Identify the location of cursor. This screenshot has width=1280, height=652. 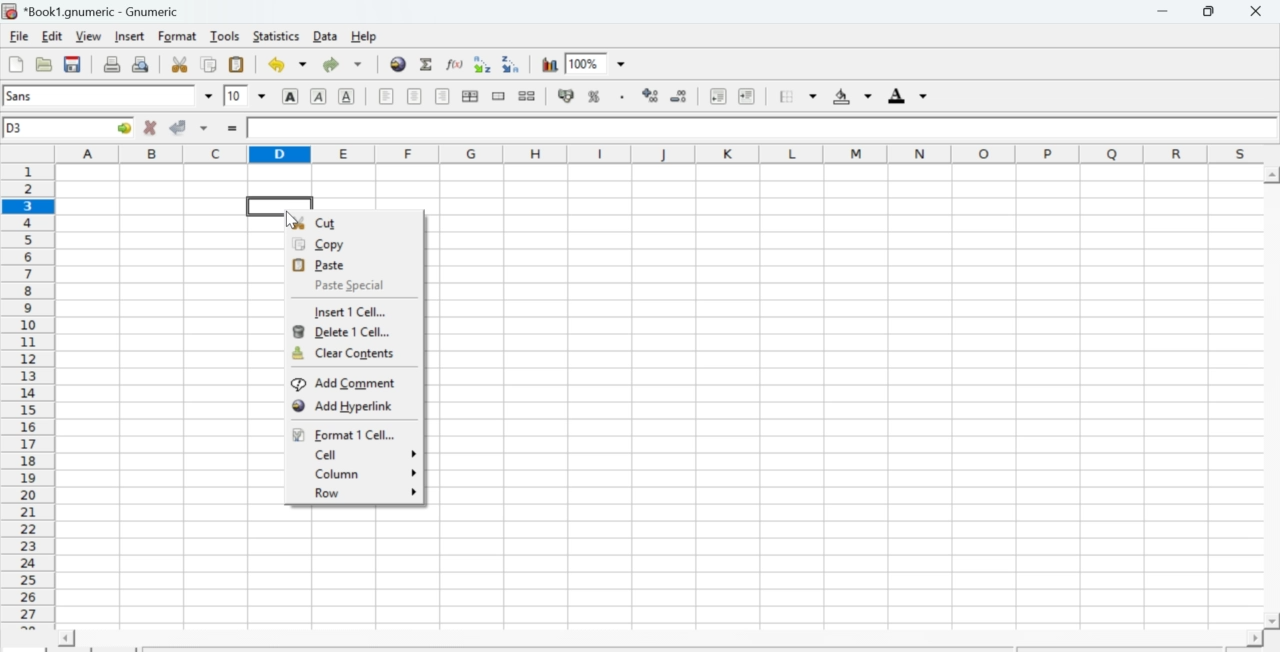
(296, 220).